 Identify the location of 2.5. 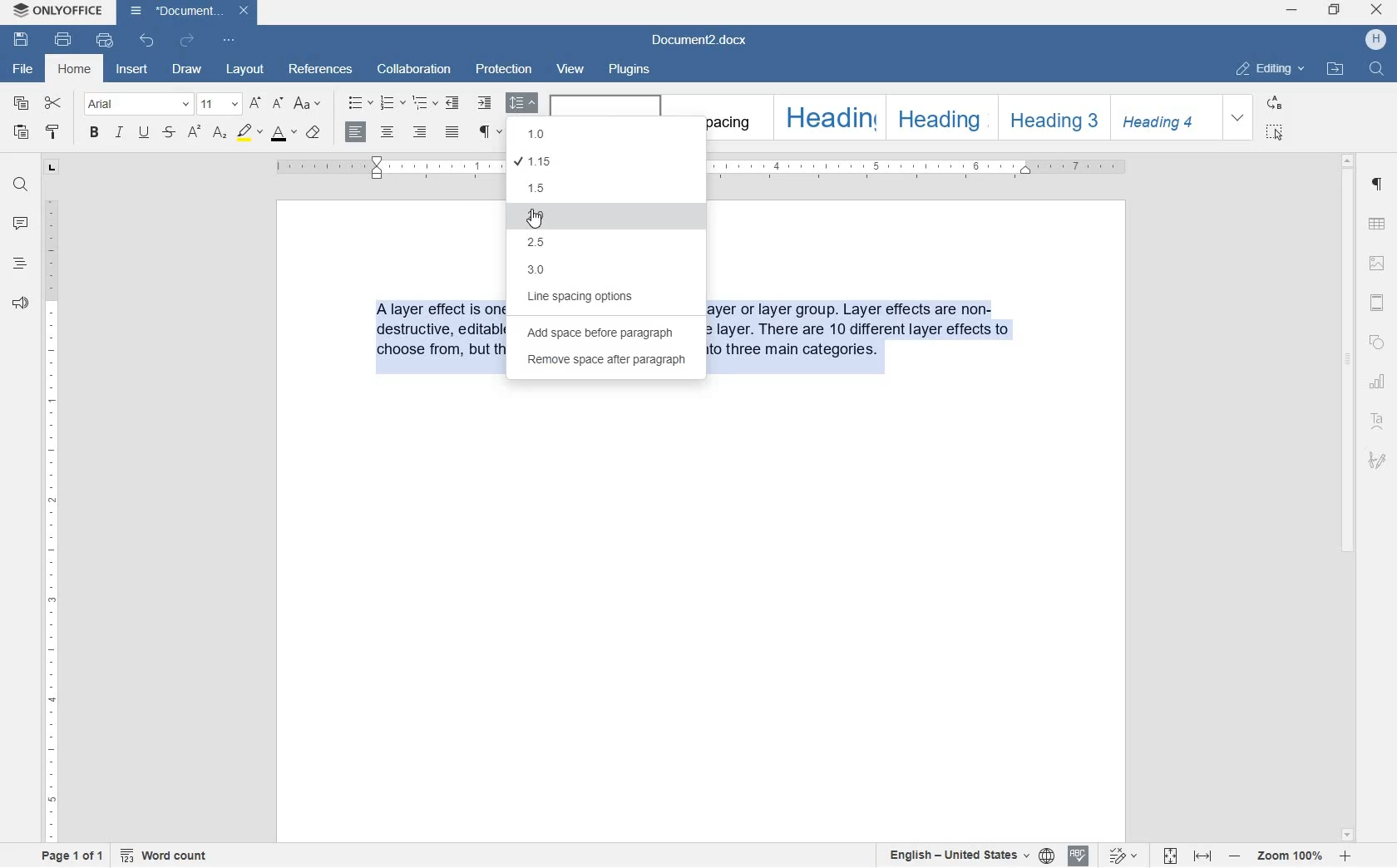
(537, 242).